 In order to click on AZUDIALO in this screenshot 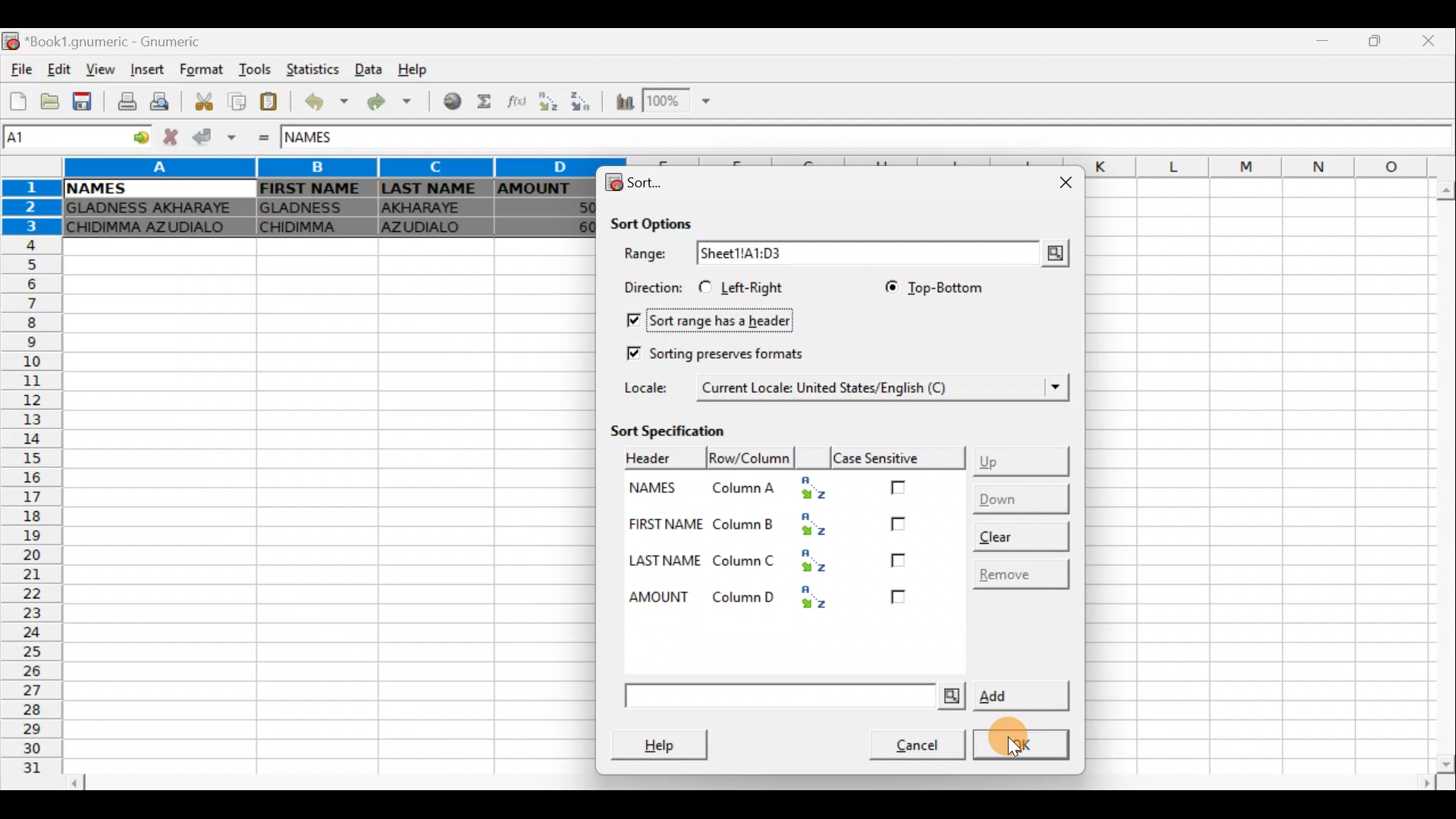, I will do `click(429, 229)`.